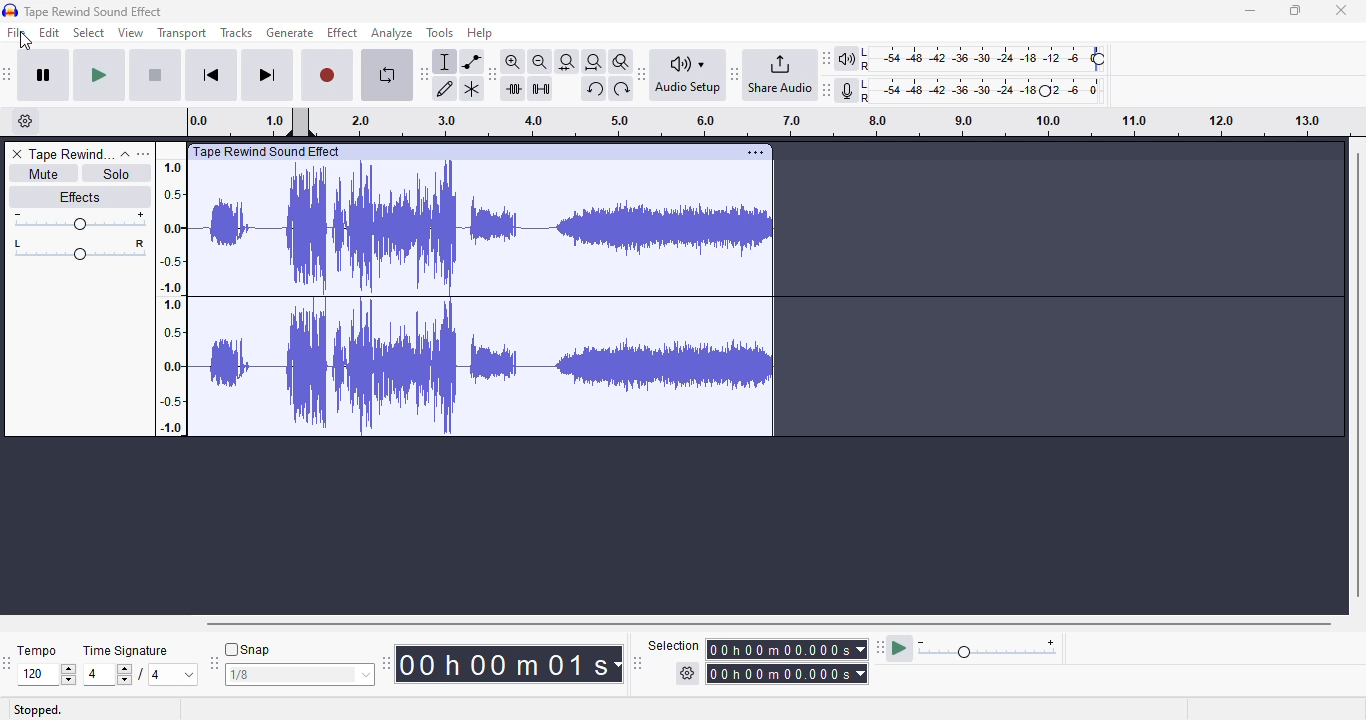 The image size is (1366, 720). I want to click on tools, so click(441, 32).